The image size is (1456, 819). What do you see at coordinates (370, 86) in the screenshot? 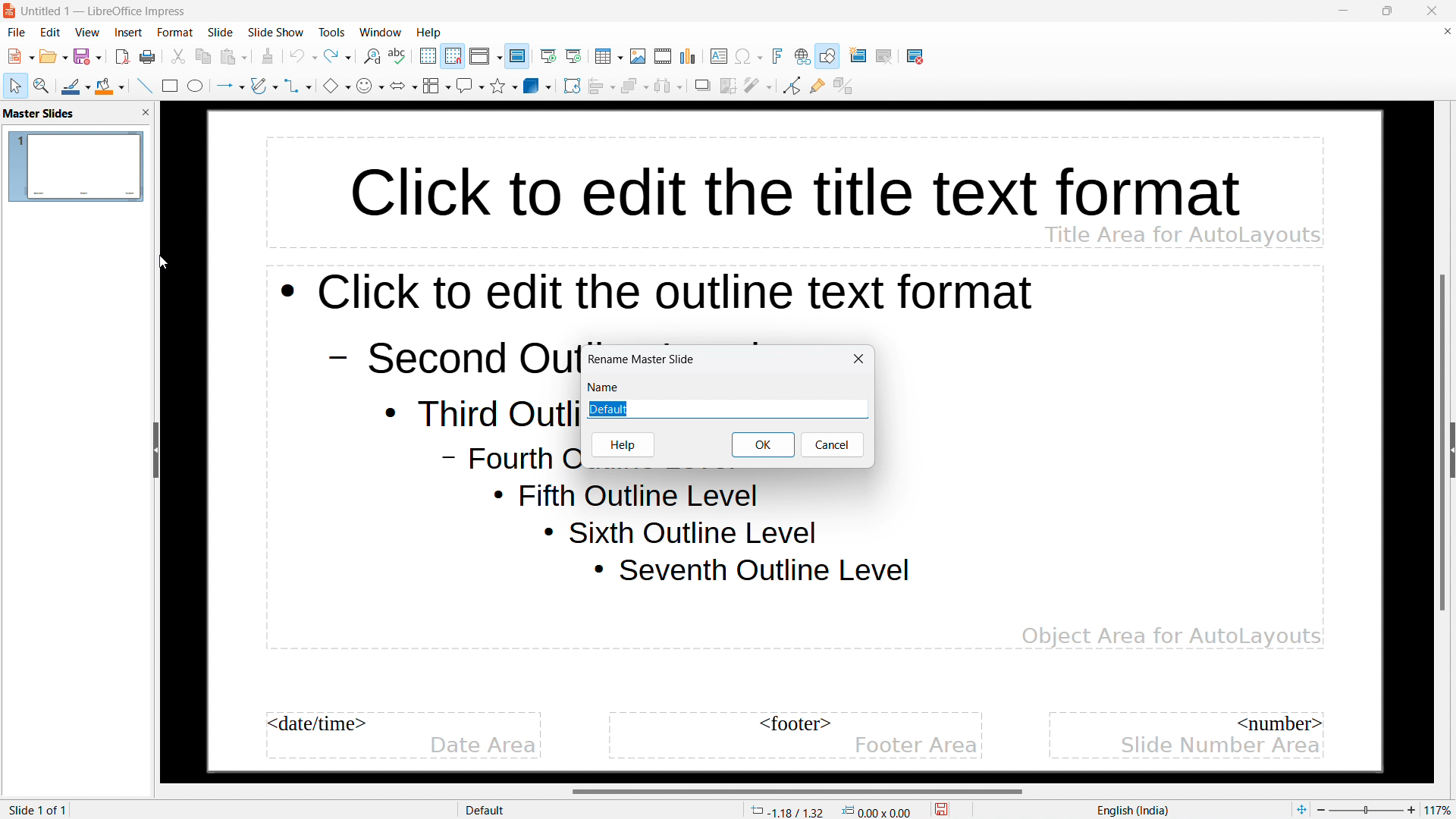
I see `symbol shapes` at bounding box center [370, 86].